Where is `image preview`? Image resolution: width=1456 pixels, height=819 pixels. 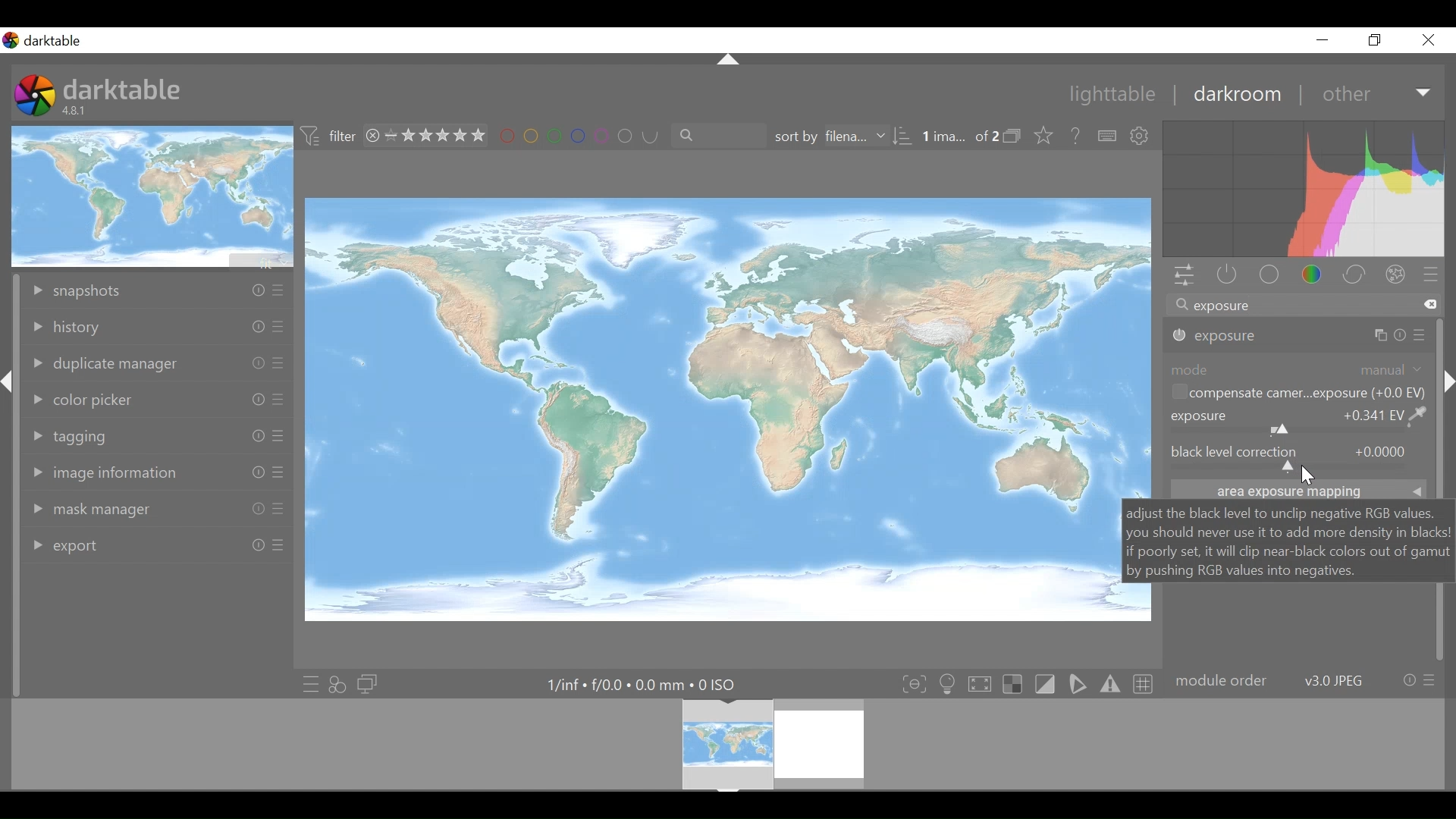
image preview is located at coordinates (152, 196).